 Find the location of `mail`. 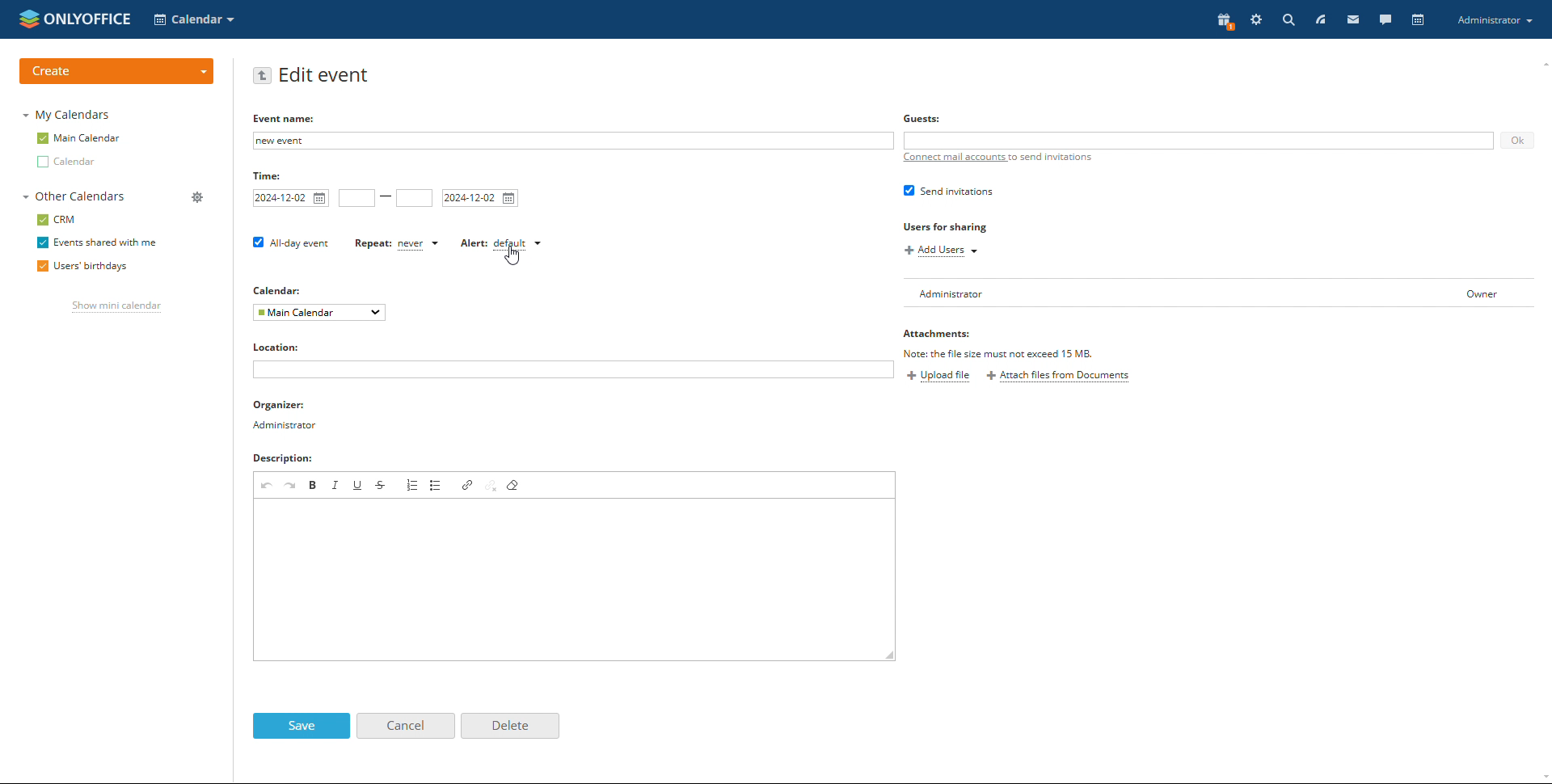

mail is located at coordinates (1352, 20).